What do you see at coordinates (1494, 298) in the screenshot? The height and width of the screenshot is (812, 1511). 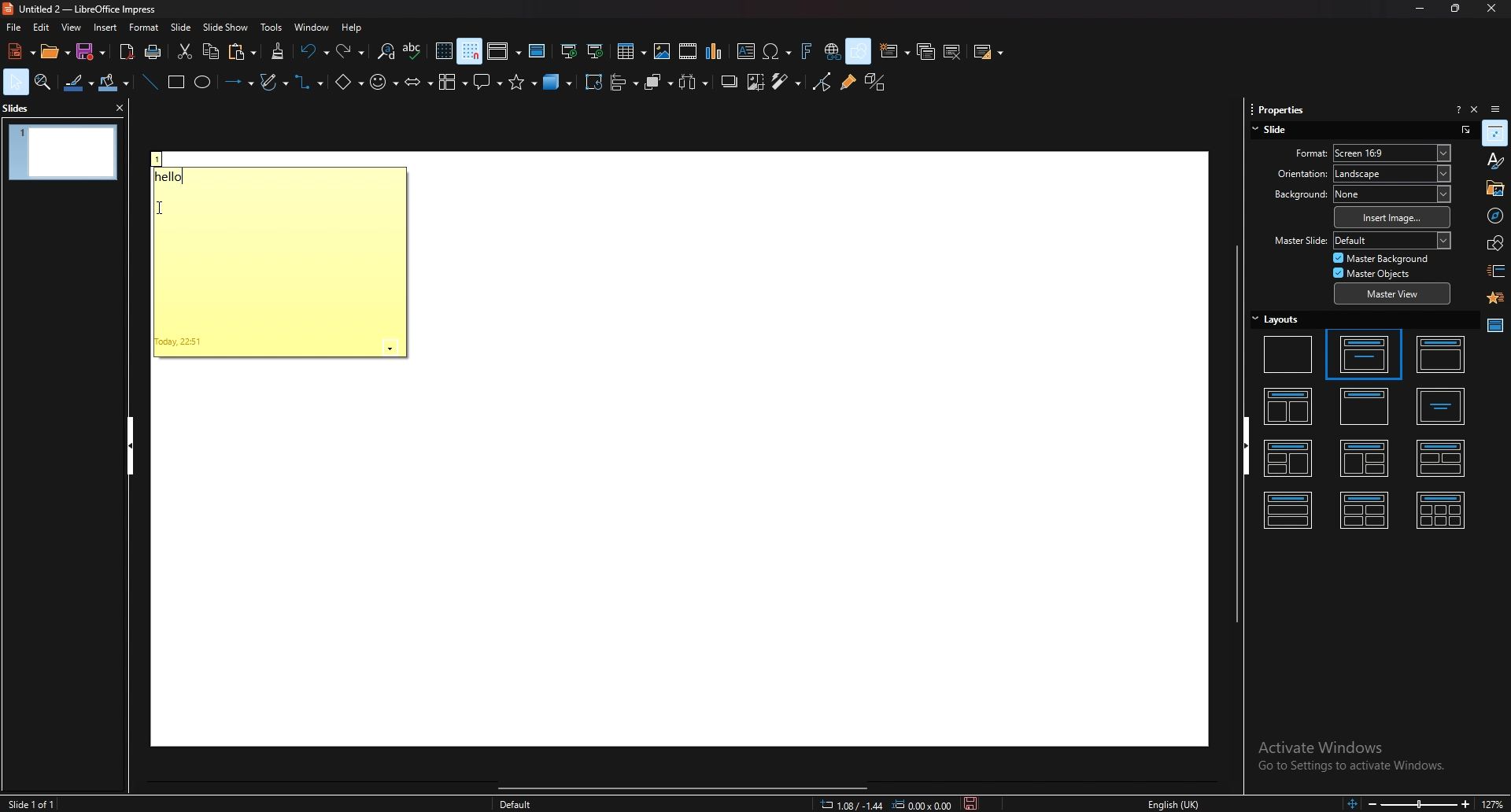 I see `animation` at bounding box center [1494, 298].